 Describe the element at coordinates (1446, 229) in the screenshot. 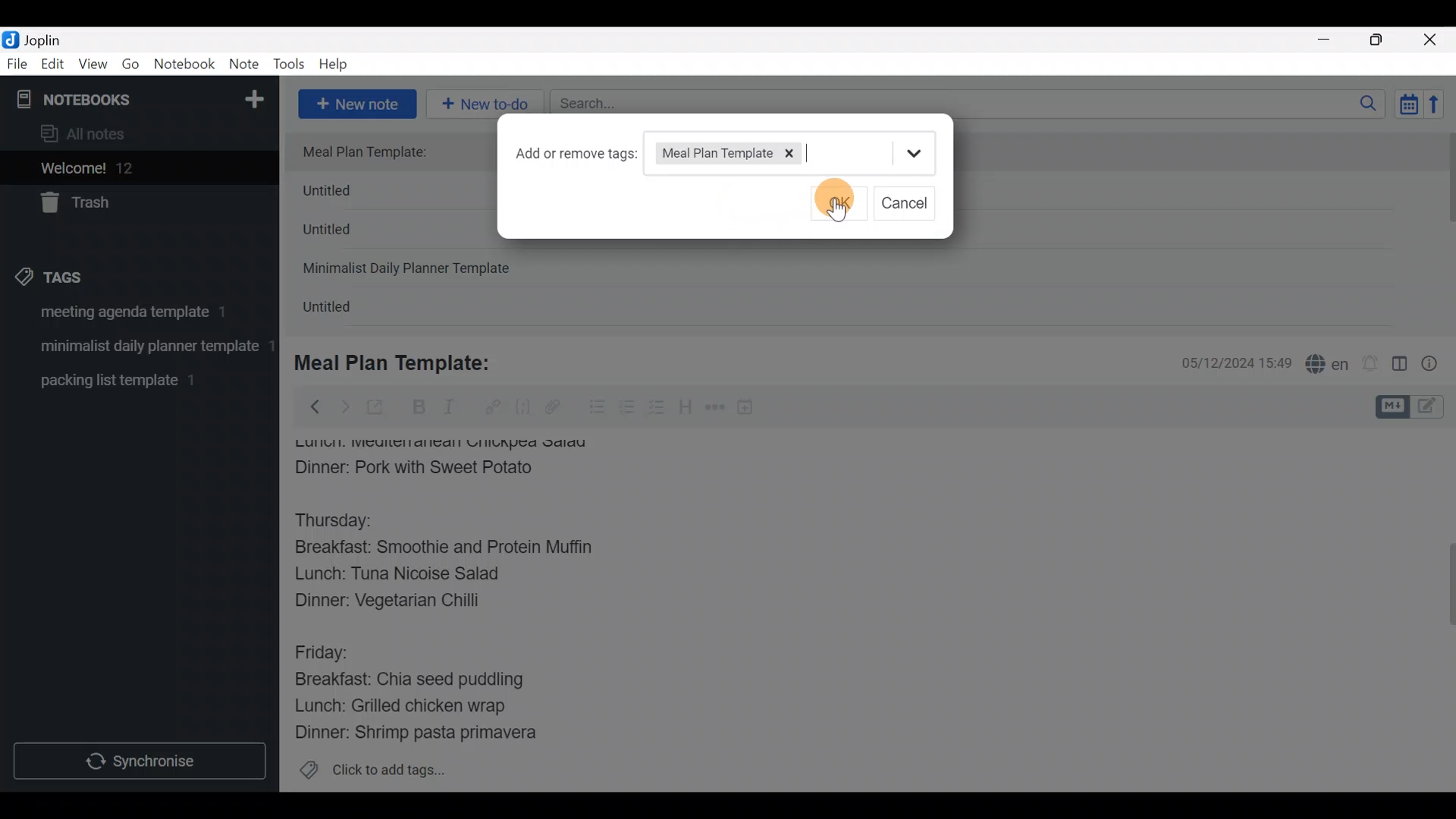

I see `scroll bar` at that location.